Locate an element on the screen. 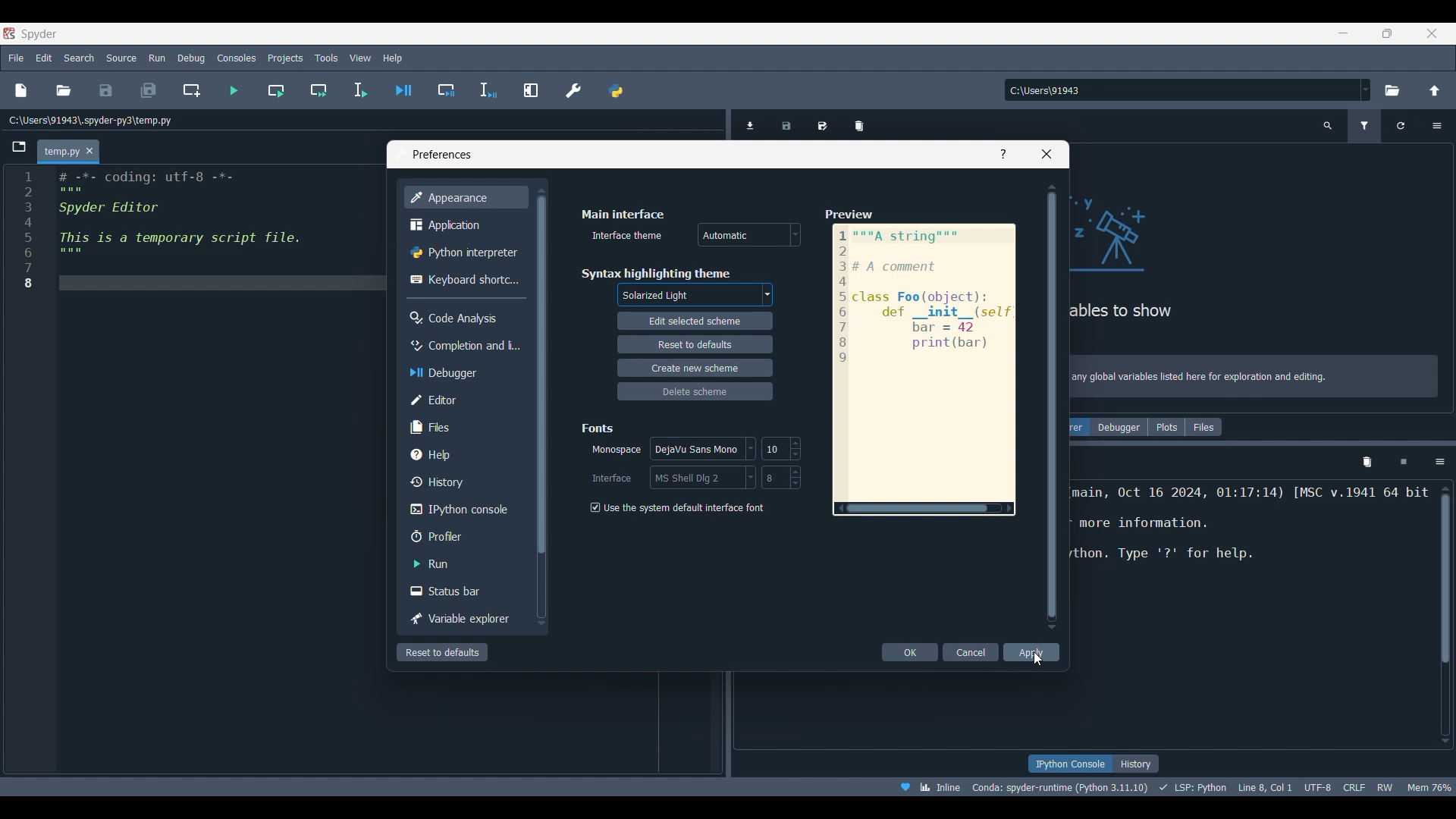  cursor details is located at coordinates (1266, 786).